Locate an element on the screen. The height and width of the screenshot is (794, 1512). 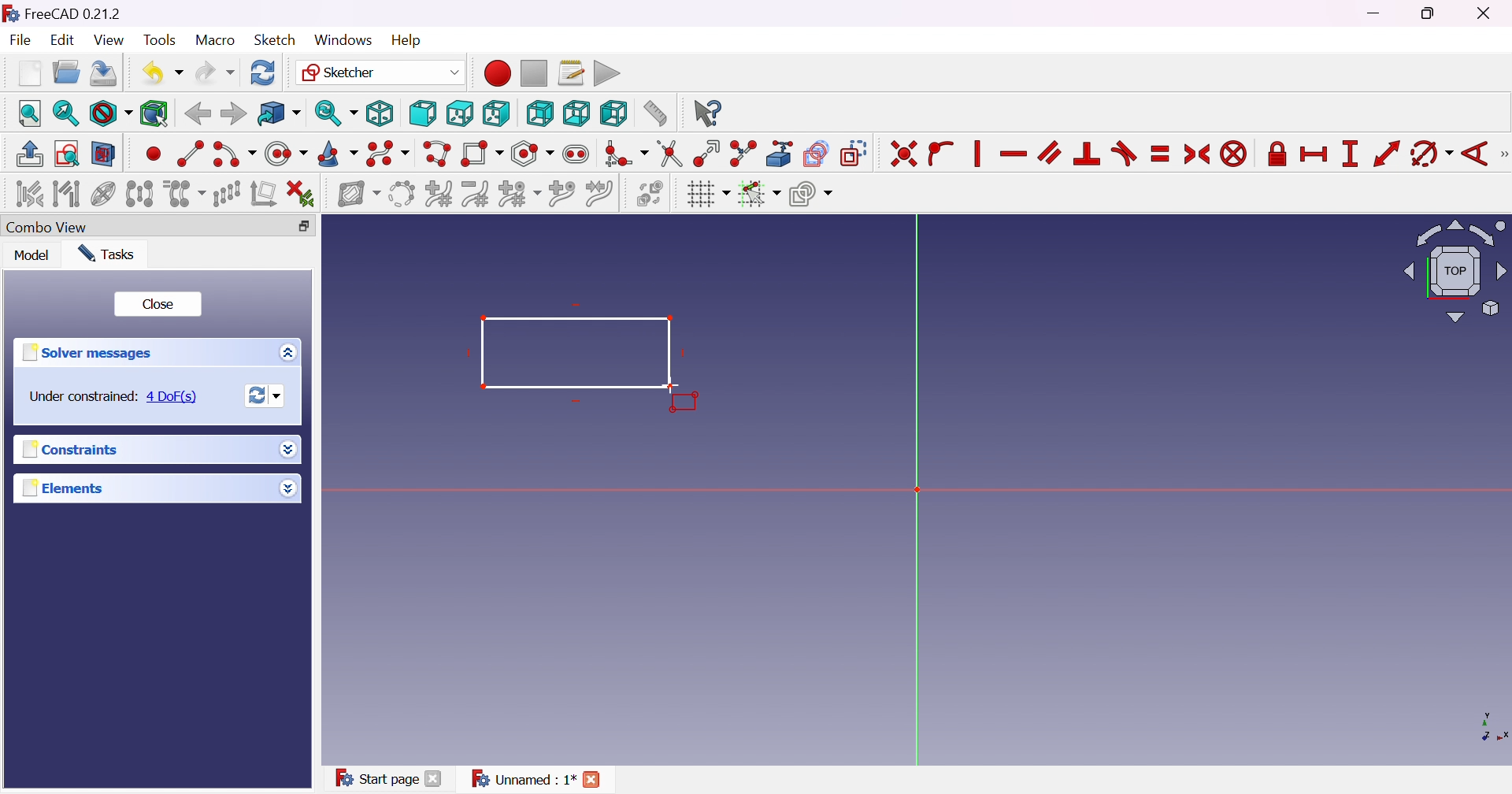
Constraints is located at coordinates (80, 448).